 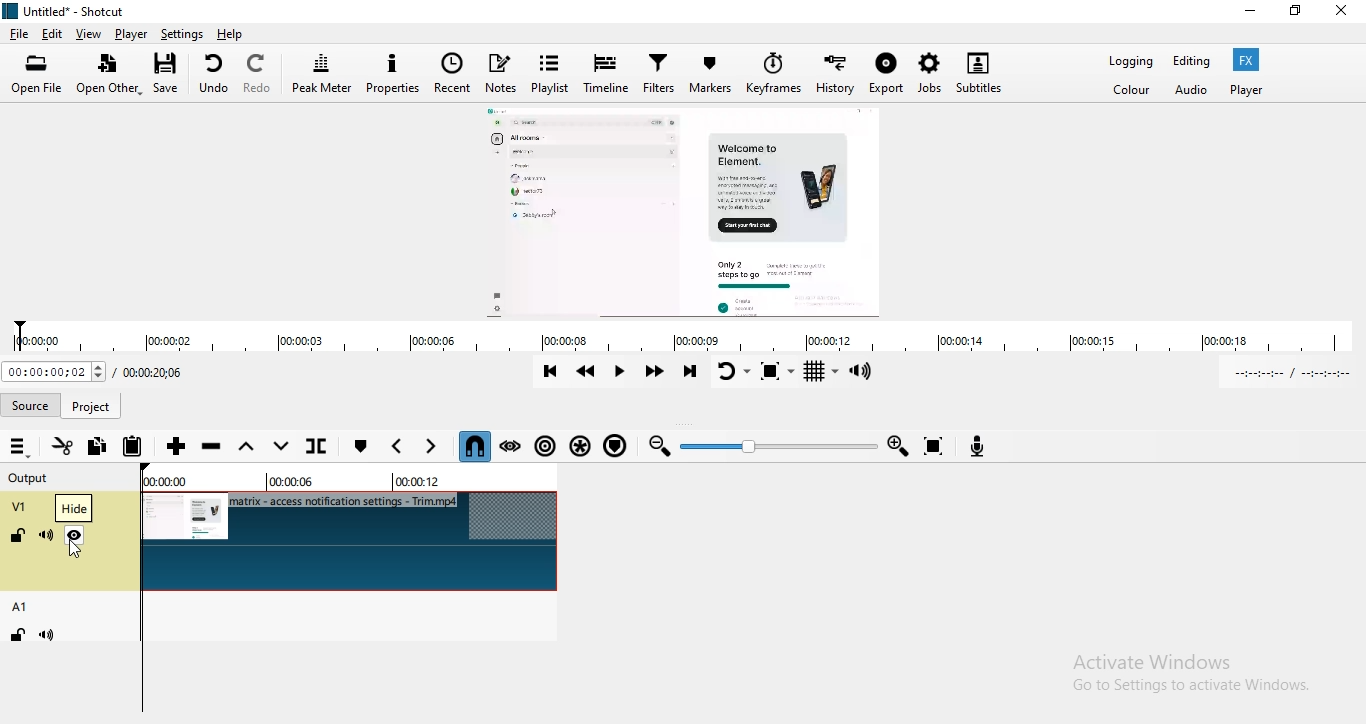 I want to click on Export, so click(x=888, y=75).